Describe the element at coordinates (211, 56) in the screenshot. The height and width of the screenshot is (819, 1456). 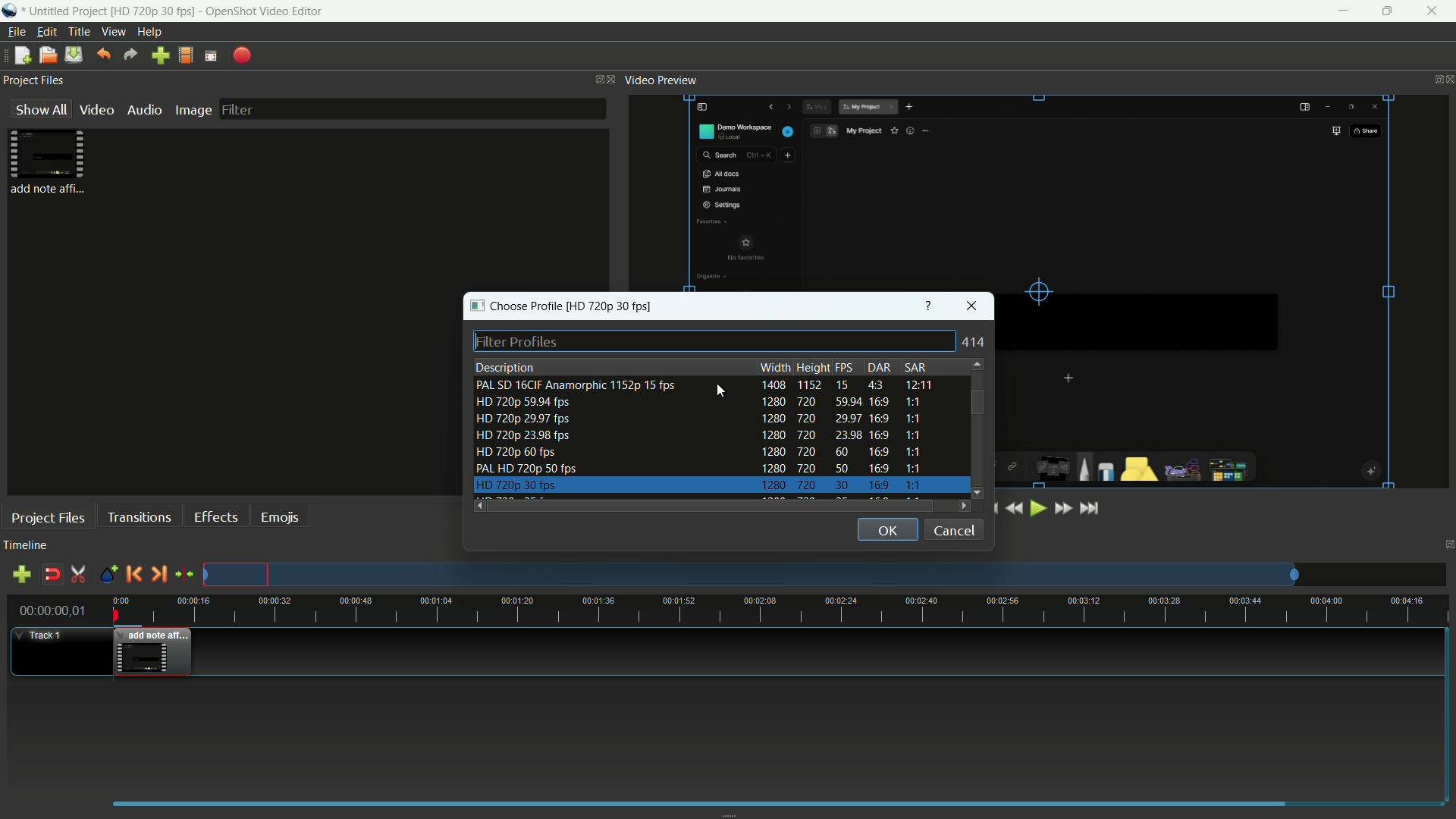
I see `full screen` at that location.